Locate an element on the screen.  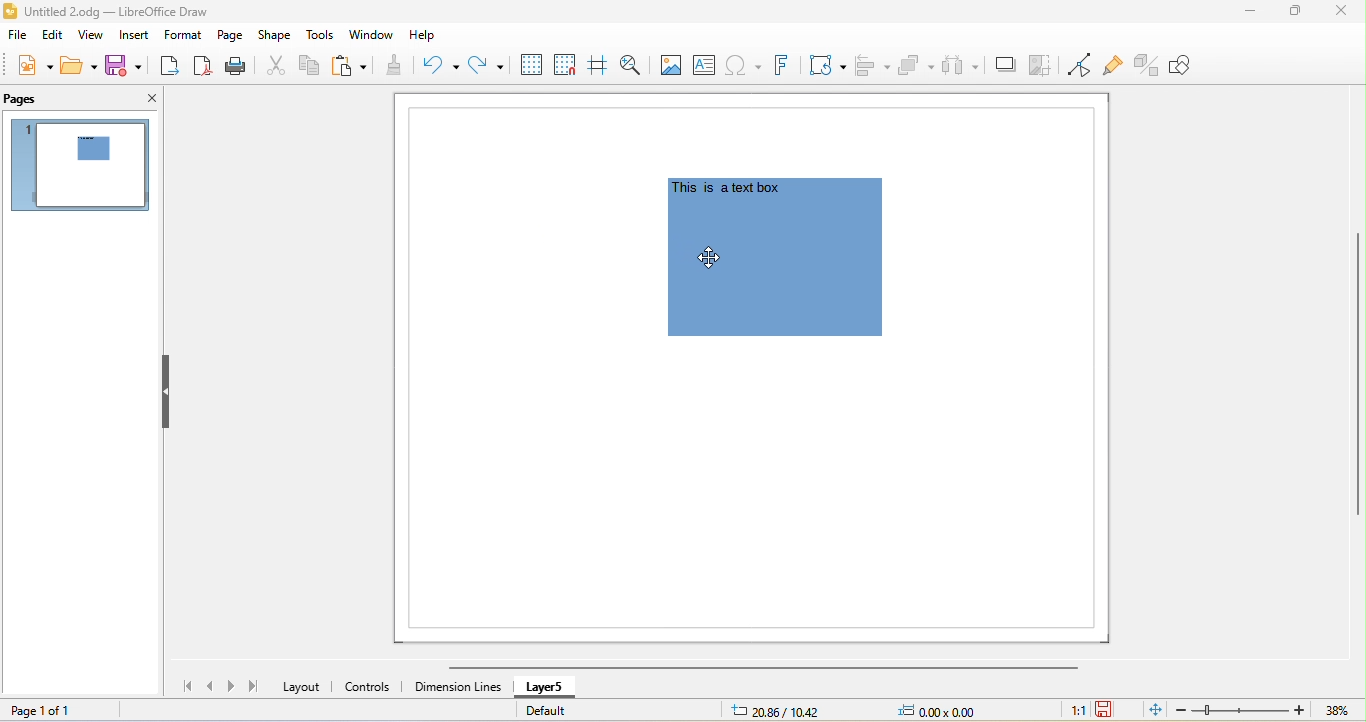
select at least three object to distribute is located at coordinates (961, 65).